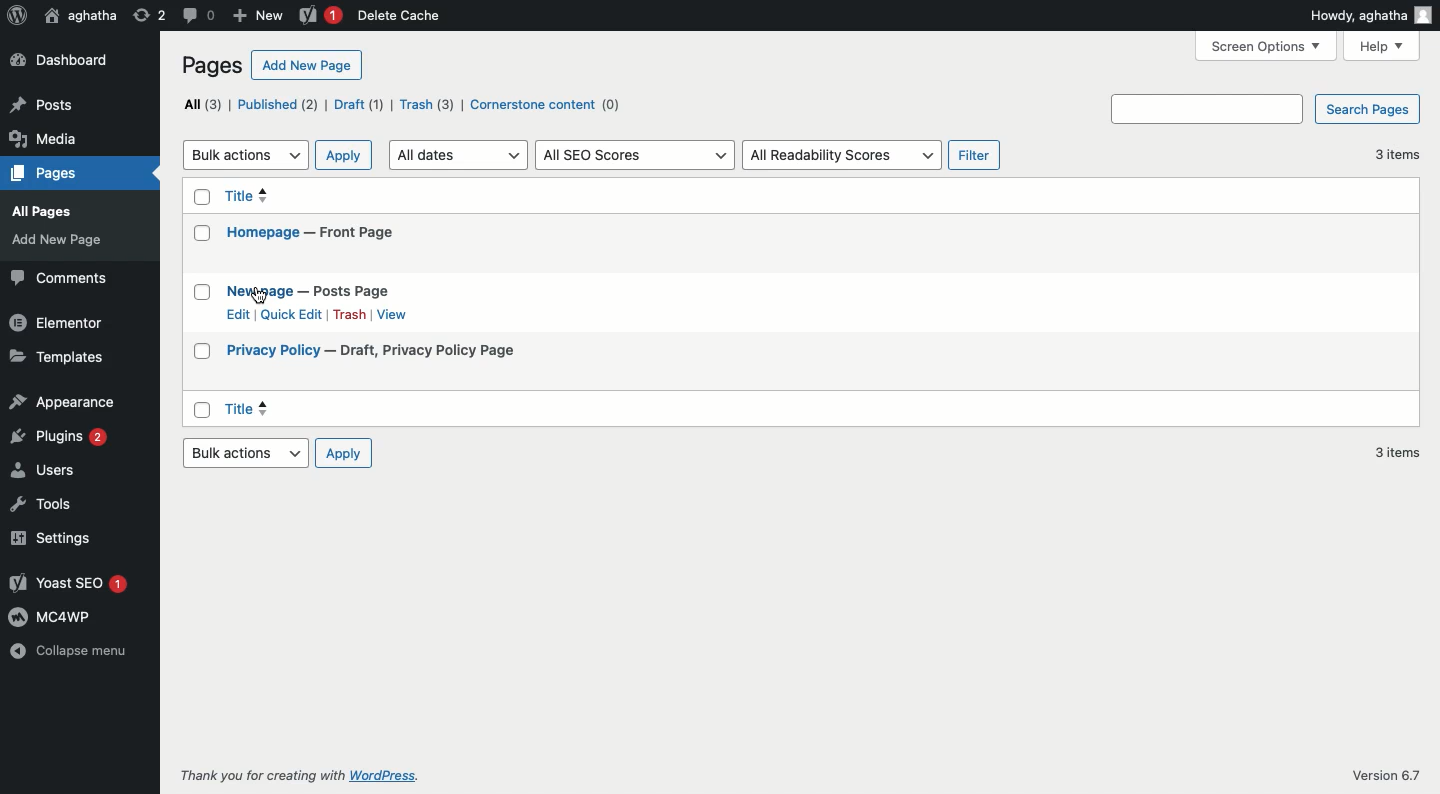 The height and width of the screenshot is (794, 1440). Describe the element at coordinates (62, 357) in the screenshot. I see `Templates` at that location.